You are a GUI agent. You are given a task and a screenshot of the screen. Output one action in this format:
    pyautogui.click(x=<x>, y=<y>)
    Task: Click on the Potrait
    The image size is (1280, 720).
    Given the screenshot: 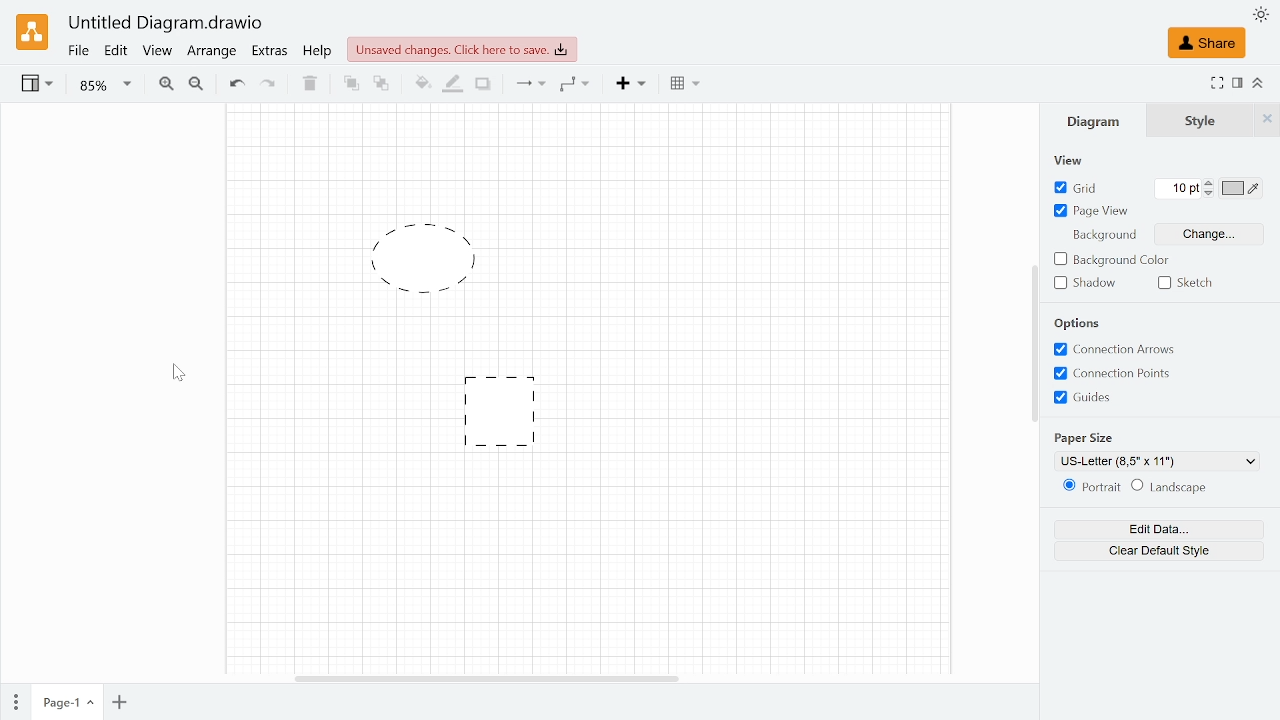 What is the action you would take?
    pyautogui.click(x=1088, y=488)
    